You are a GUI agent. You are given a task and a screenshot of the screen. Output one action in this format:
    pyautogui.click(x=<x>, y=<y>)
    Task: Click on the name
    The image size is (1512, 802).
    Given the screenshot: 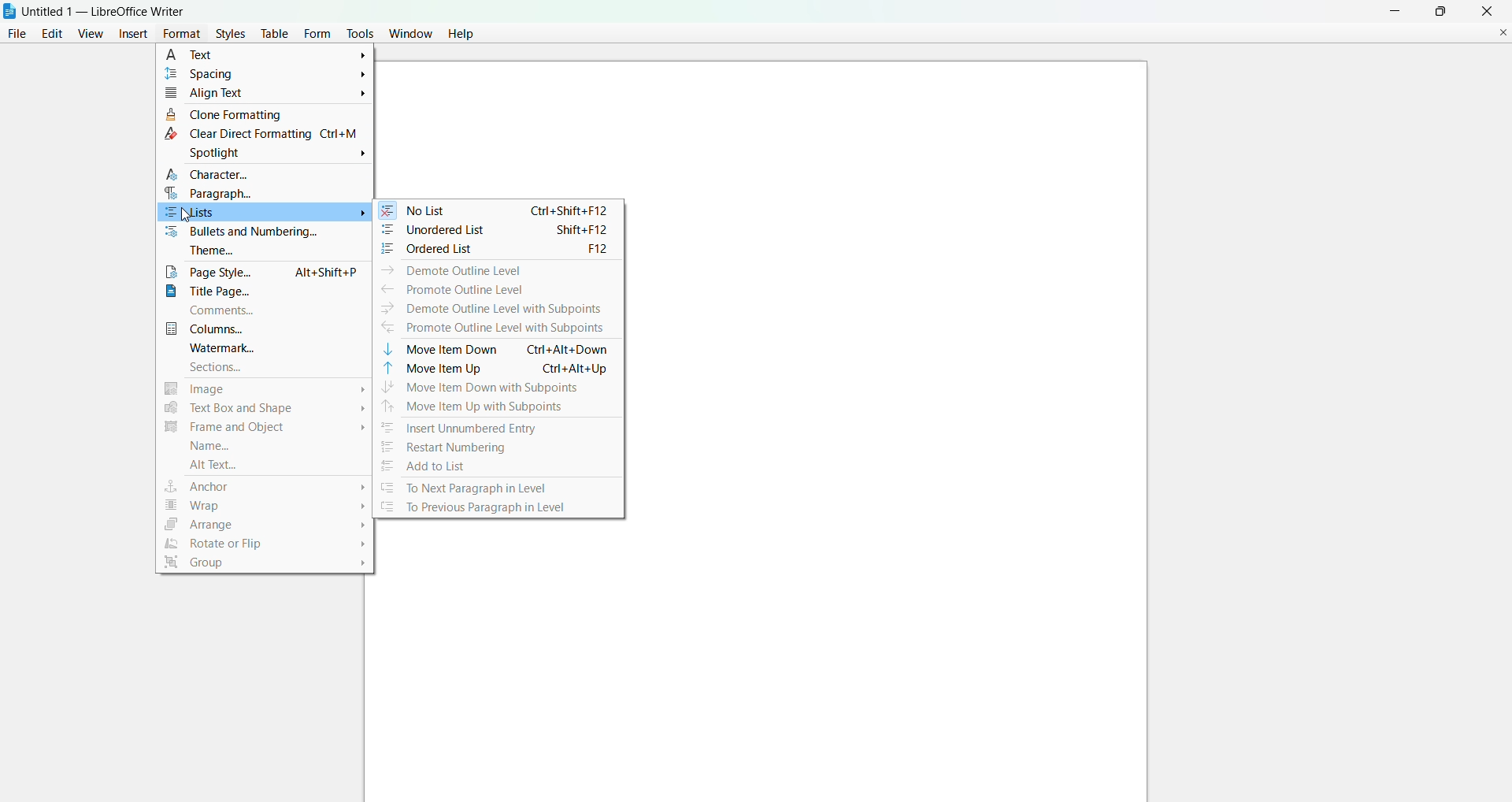 What is the action you would take?
    pyautogui.click(x=205, y=445)
    